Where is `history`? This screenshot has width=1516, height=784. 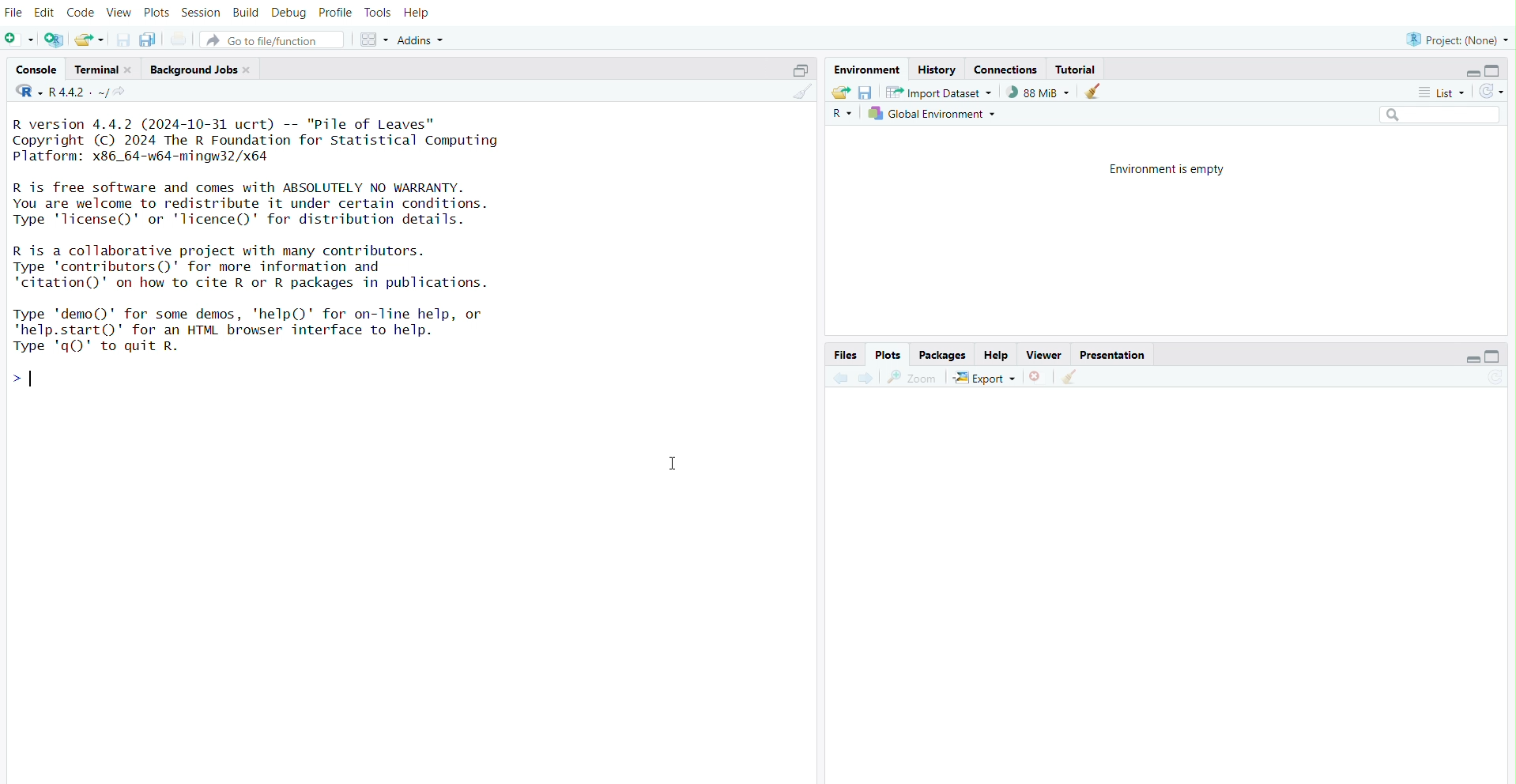
history is located at coordinates (938, 68).